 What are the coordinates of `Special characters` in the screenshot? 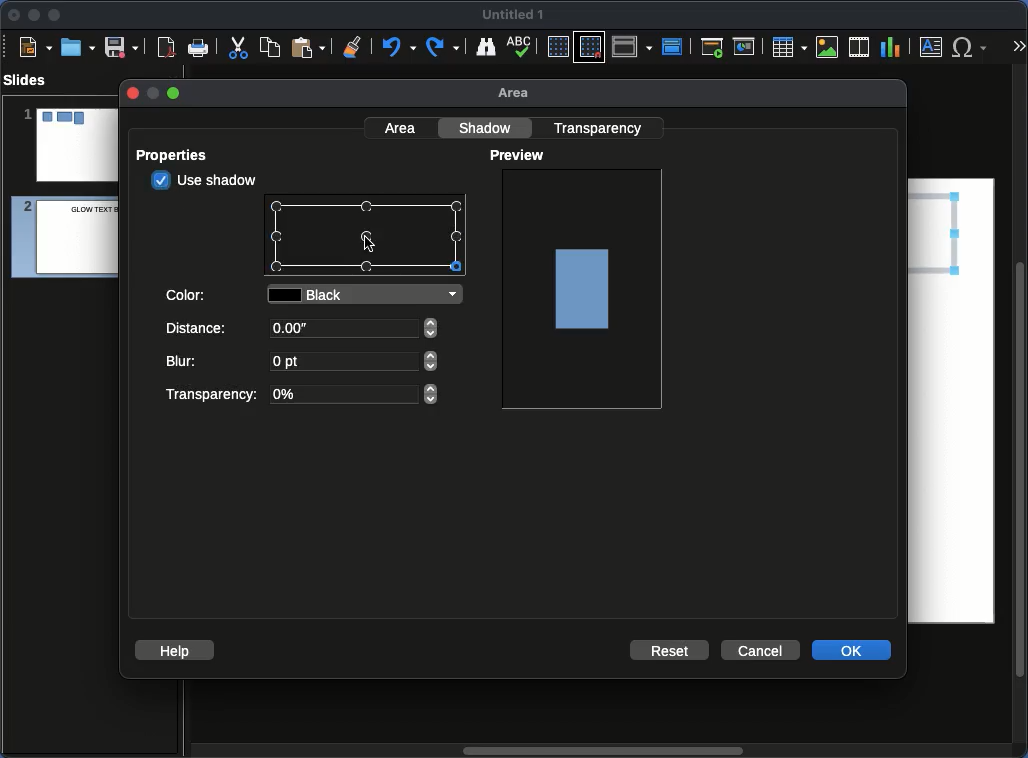 It's located at (974, 47).